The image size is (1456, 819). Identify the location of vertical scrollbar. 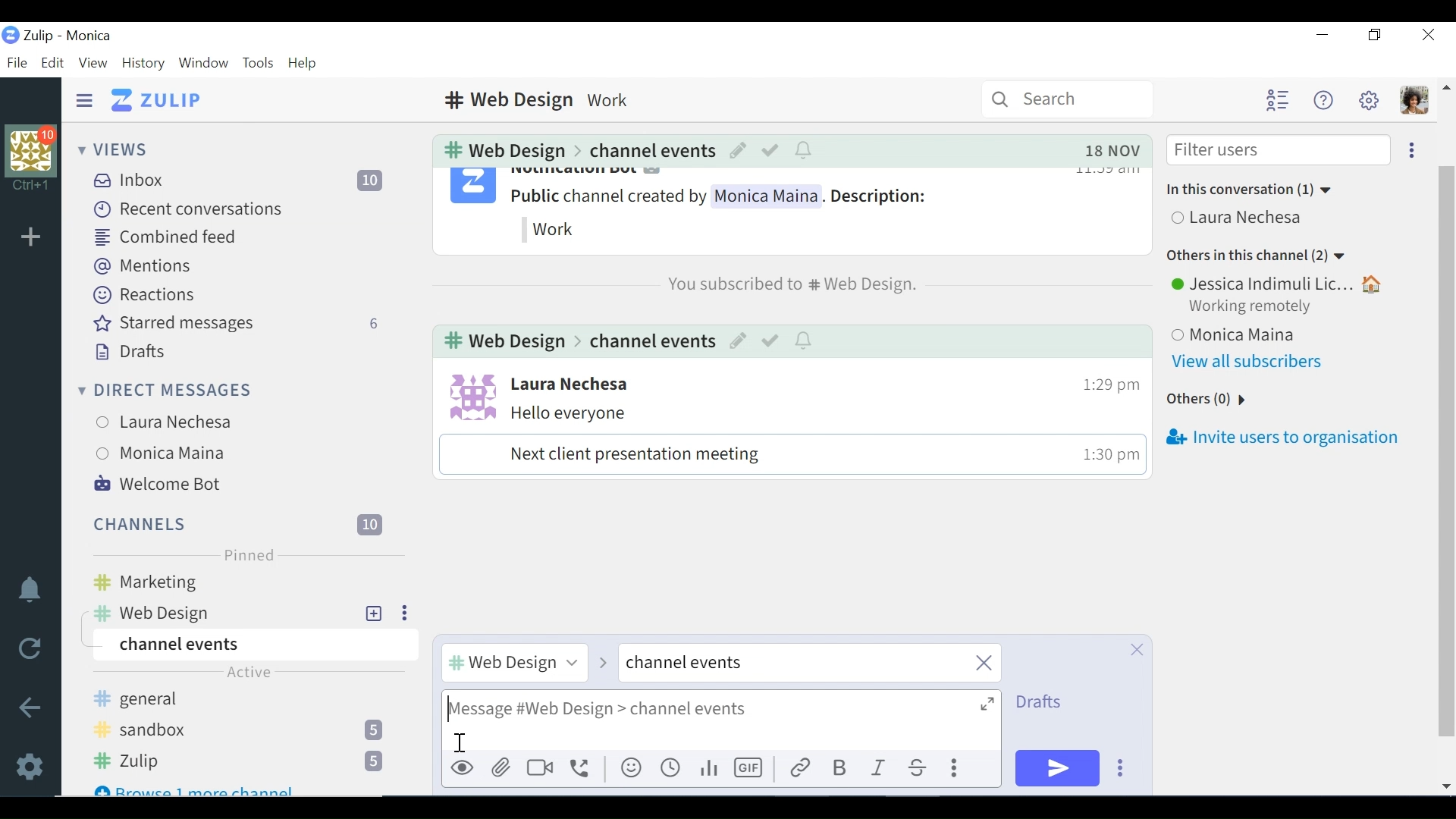
(1451, 438).